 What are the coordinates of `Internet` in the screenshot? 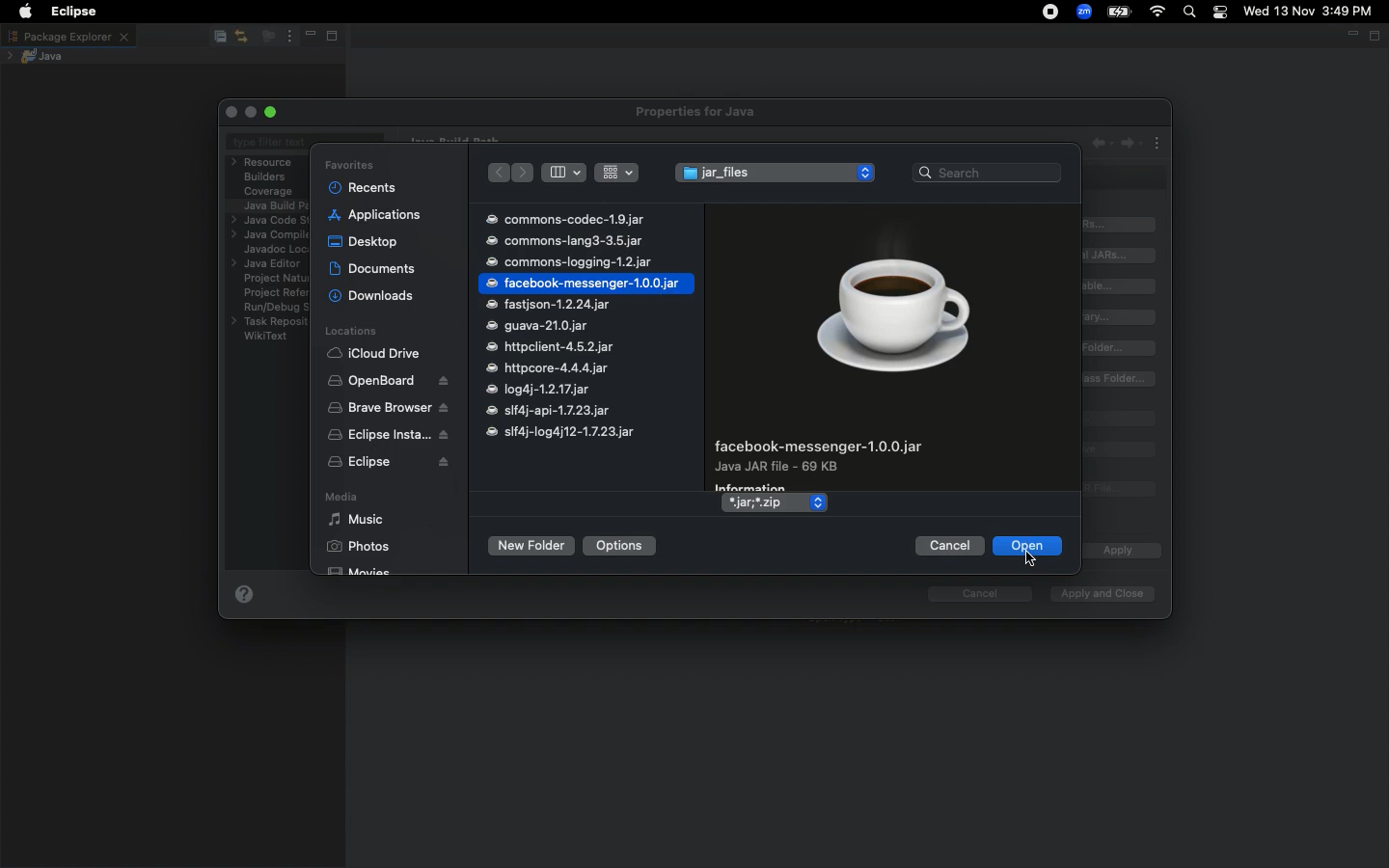 It's located at (1158, 13).